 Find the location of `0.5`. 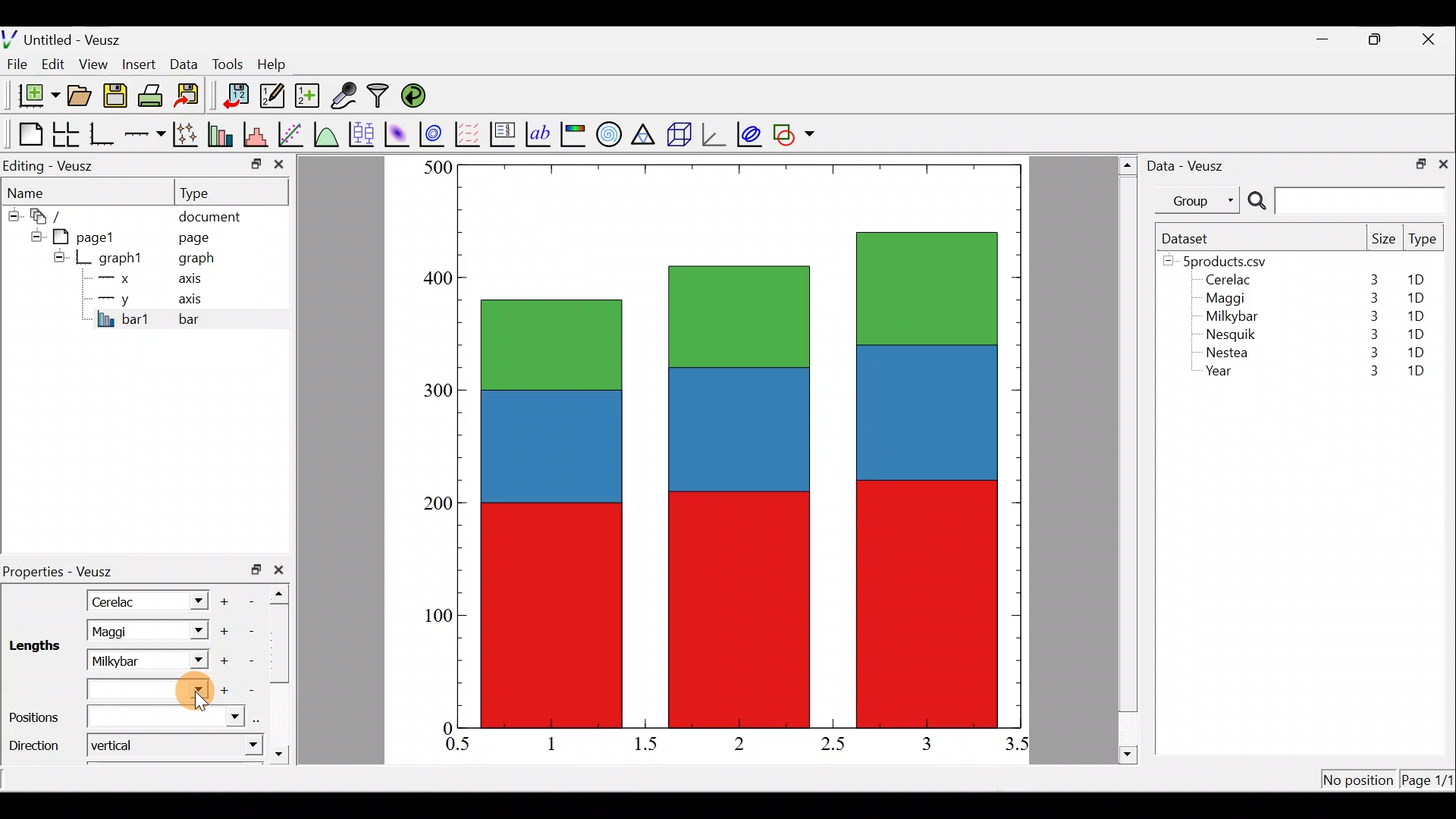

0.5 is located at coordinates (458, 746).